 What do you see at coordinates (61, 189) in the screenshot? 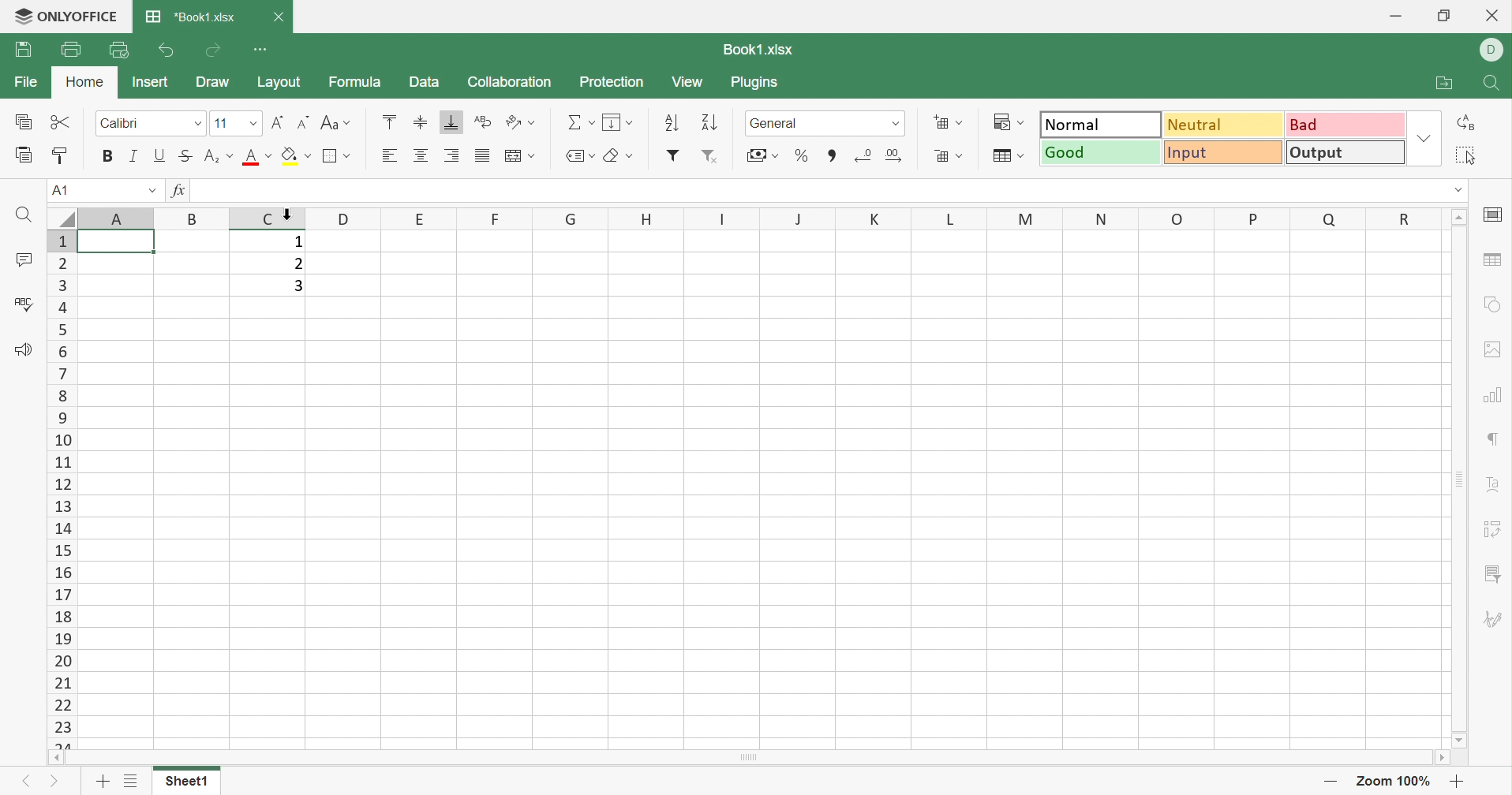
I see `A1` at bounding box center [61, 189].